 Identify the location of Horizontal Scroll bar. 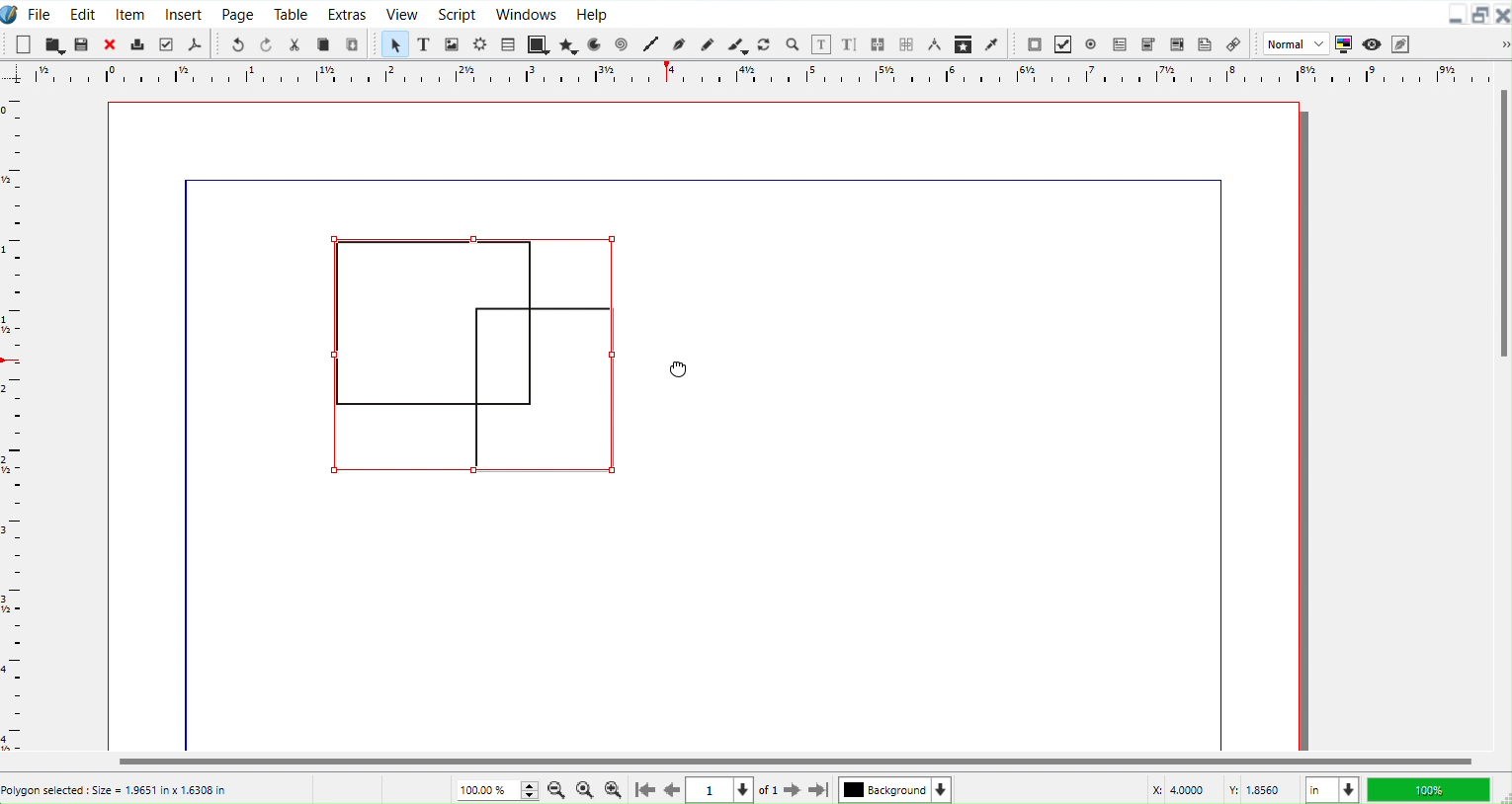
(755, 762).